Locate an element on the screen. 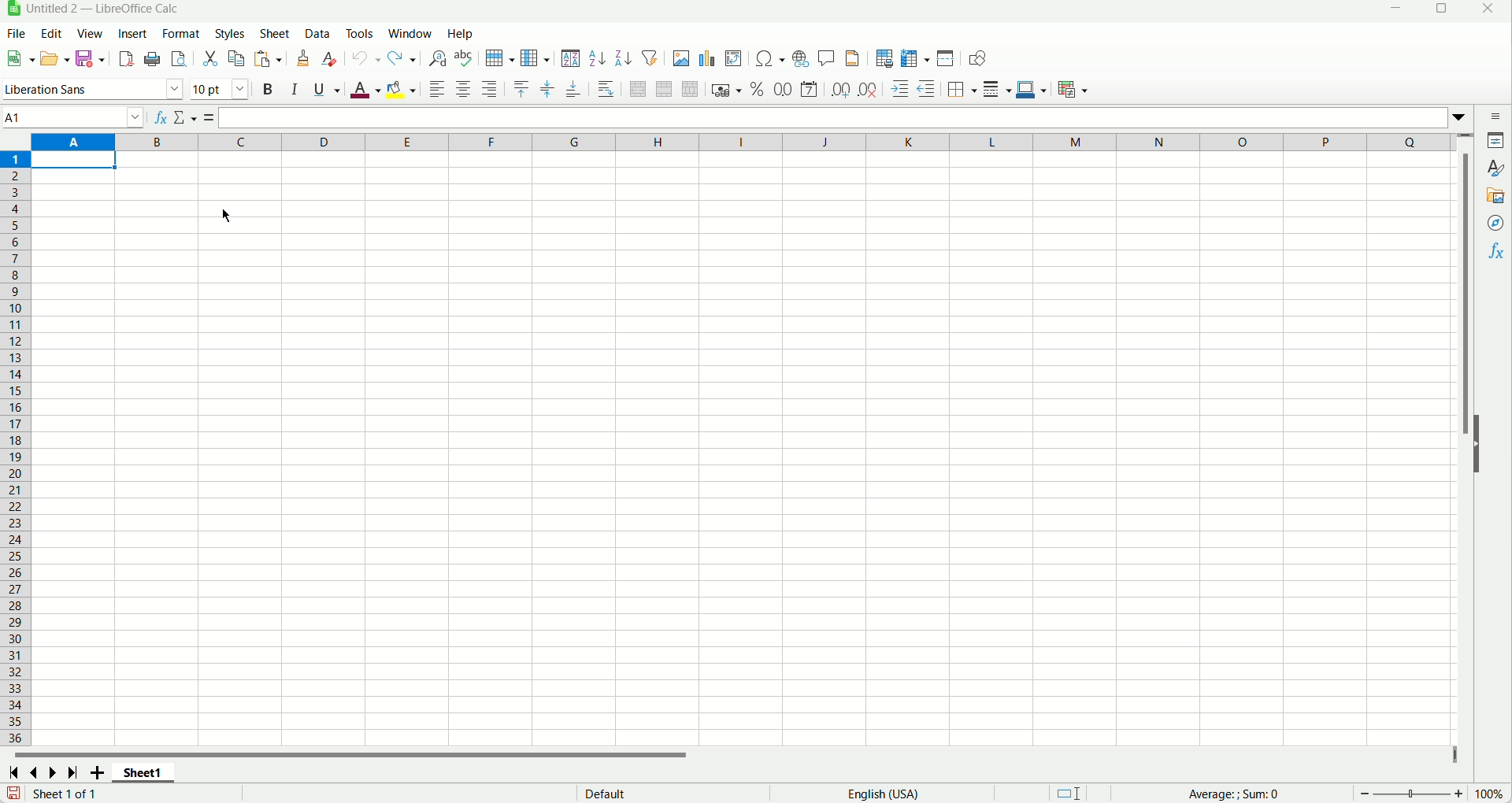 The width and height of the screenshot is (1512, 803). Header and footer is located at coordinates (852, 58).